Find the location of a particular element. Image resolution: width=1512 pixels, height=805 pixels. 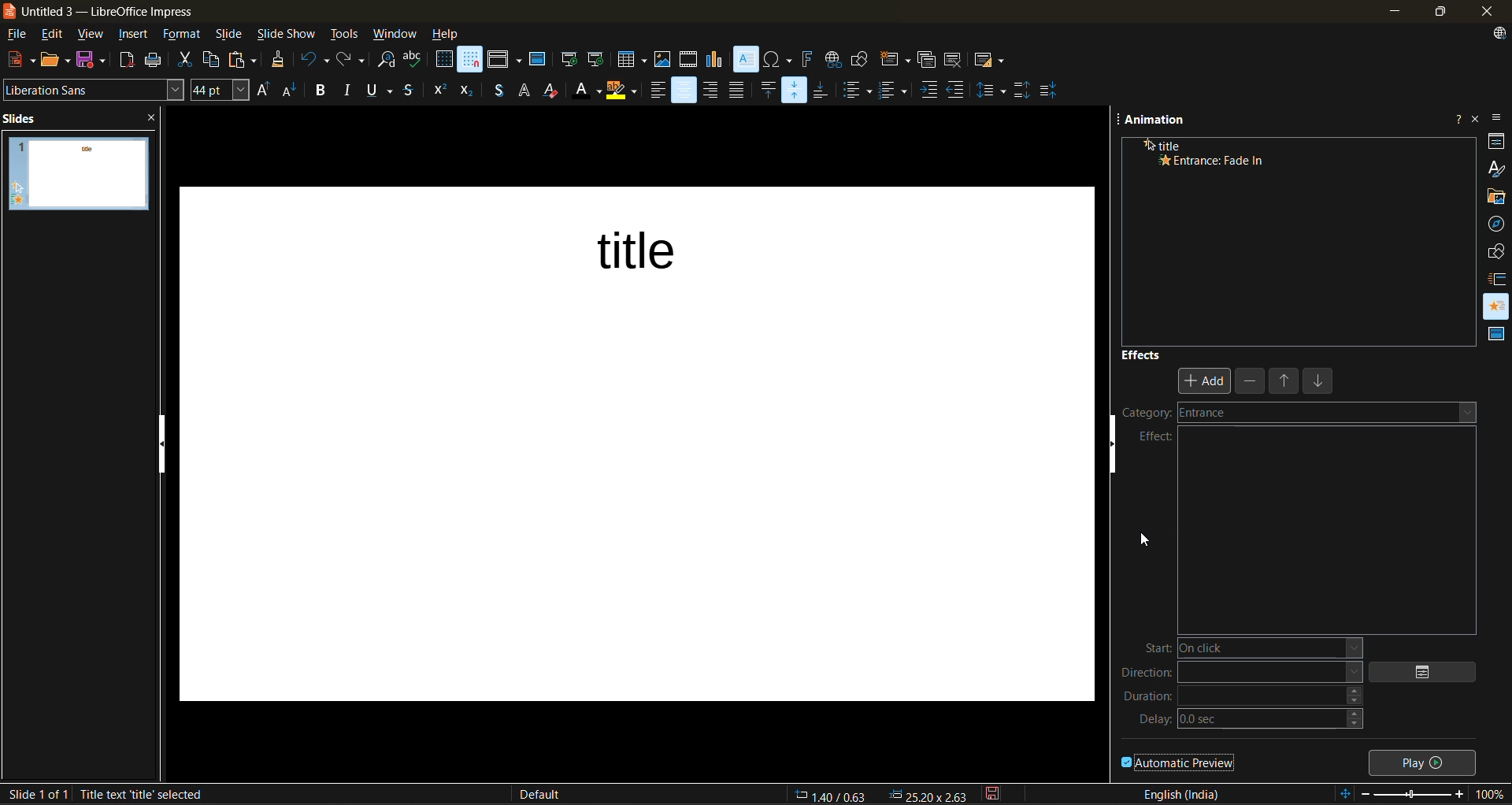

toggle ordered list is located at coordinates (896, 90).